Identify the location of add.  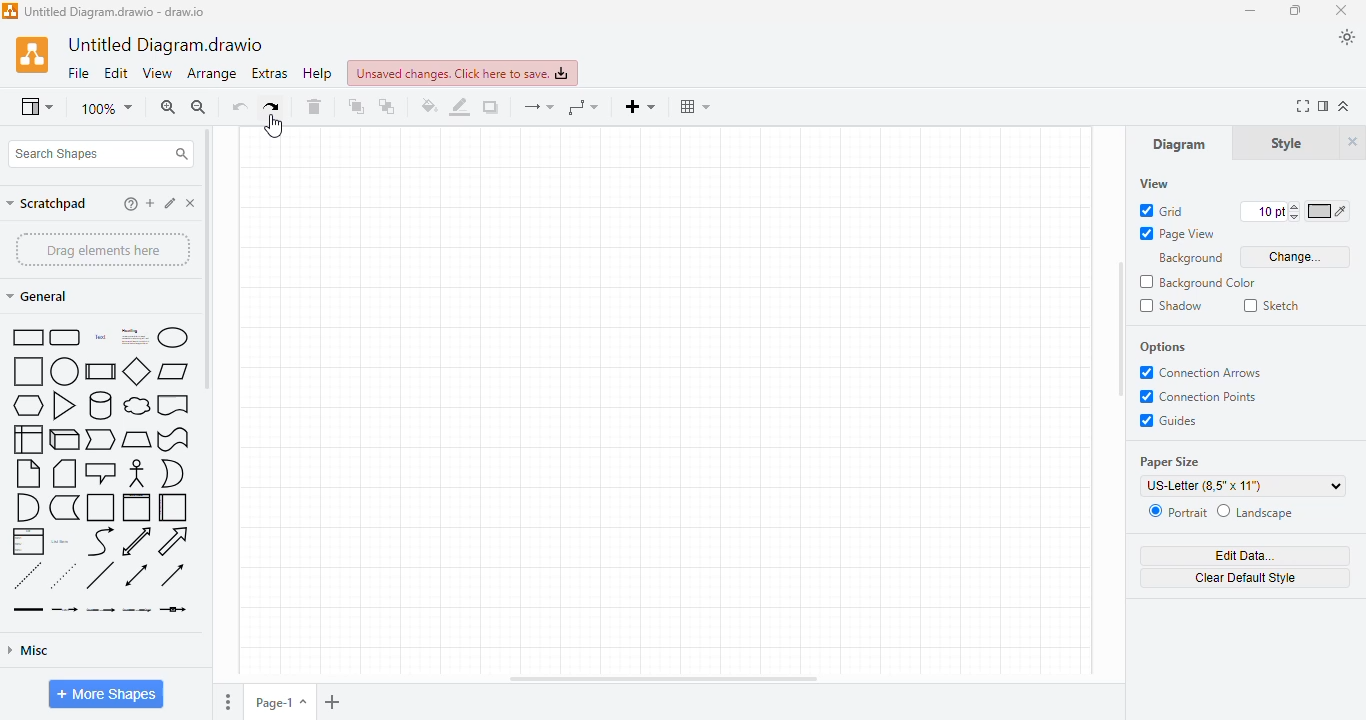
(149, 203).